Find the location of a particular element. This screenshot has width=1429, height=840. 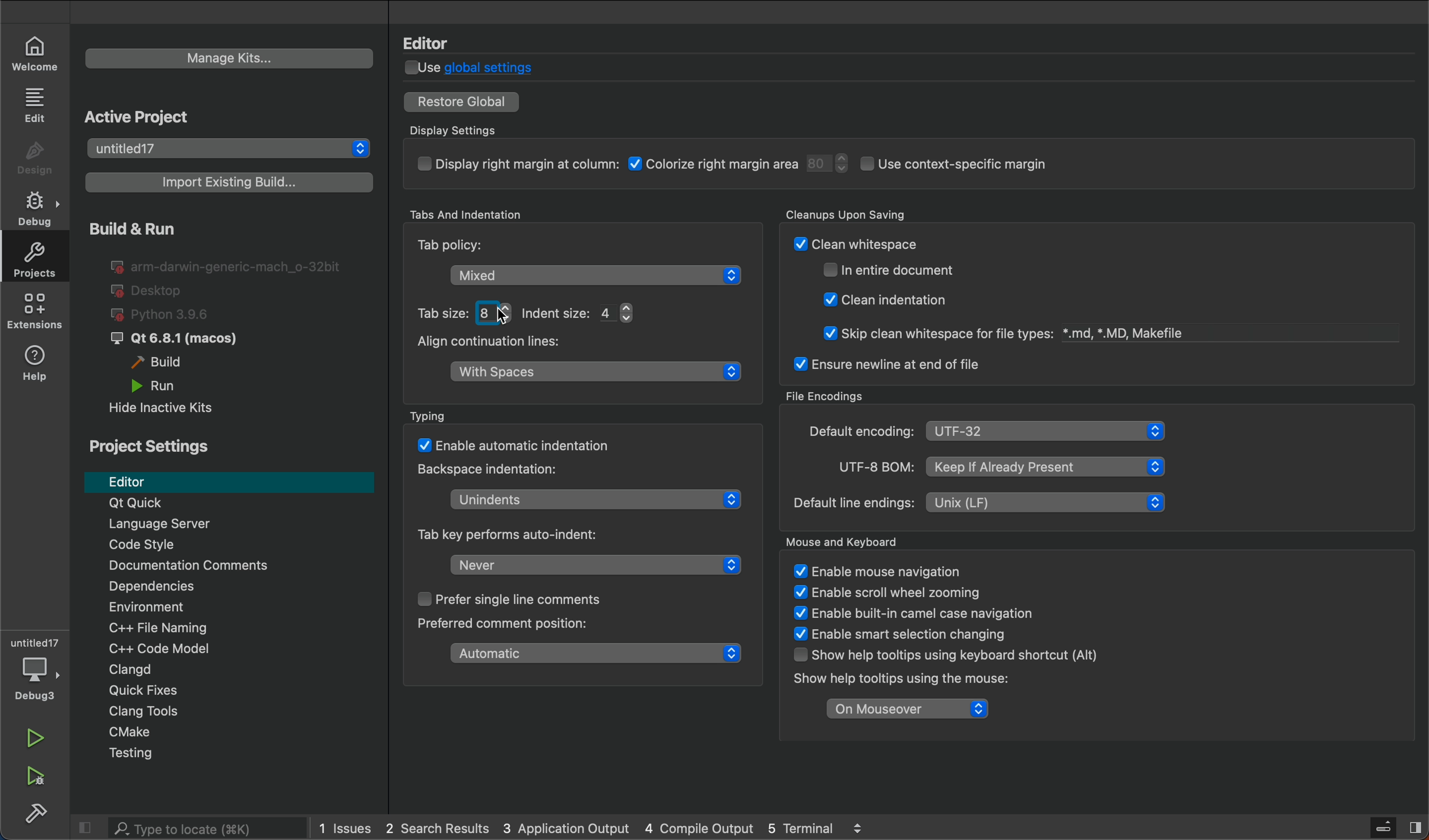

run and debug is located at coordinates (32, 781).